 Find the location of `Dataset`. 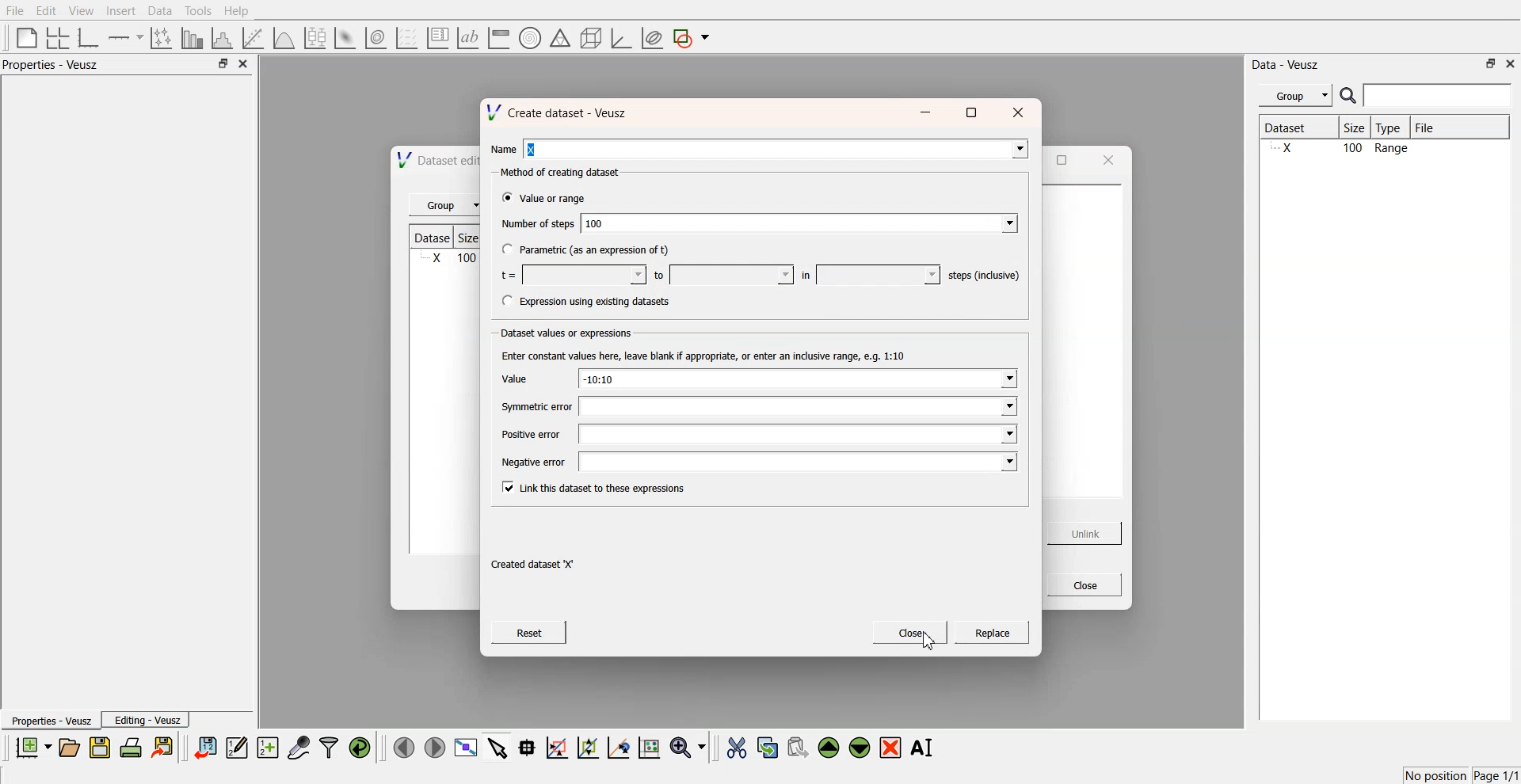

Dataset is located at coordinates (1298, 129).